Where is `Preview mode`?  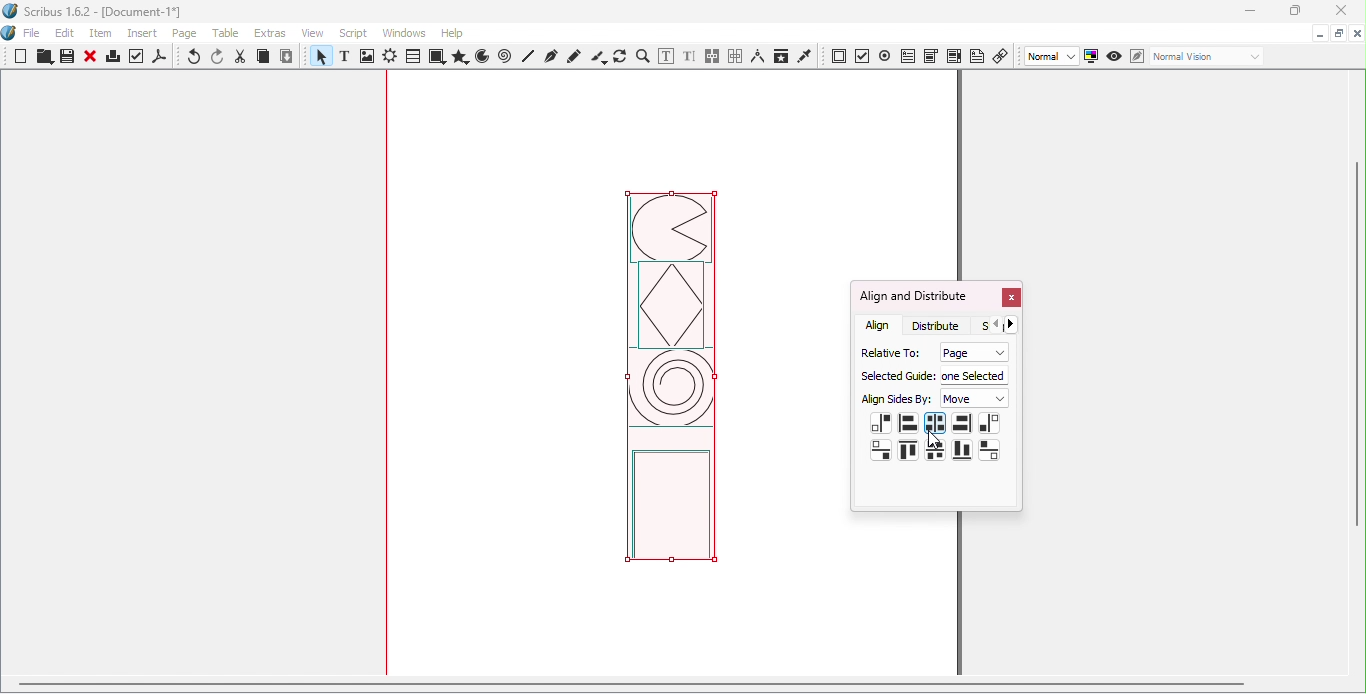
Preview mode is located at coordinates (1115, 57).